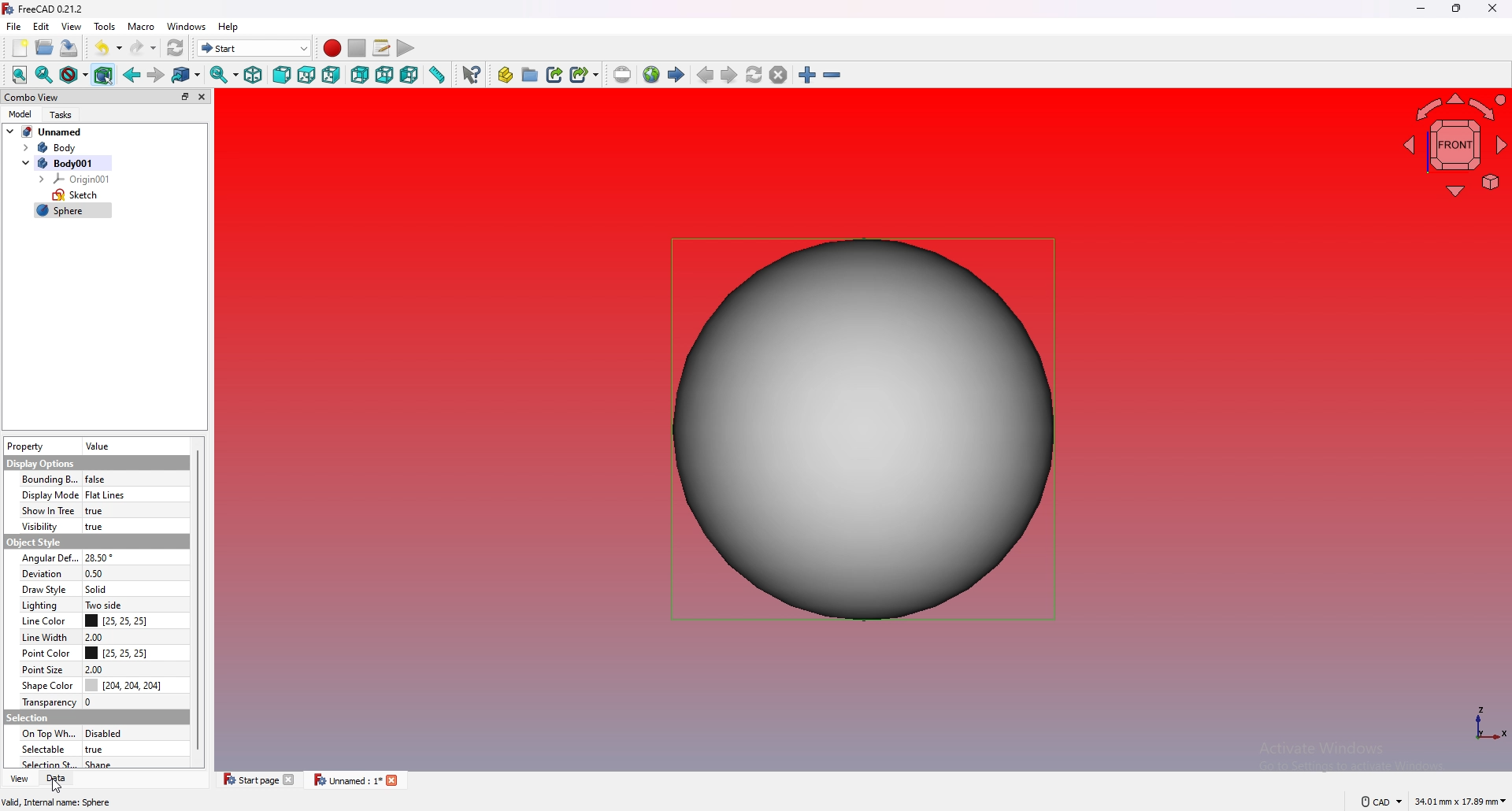  I want to click on close, so click(1492, 9).